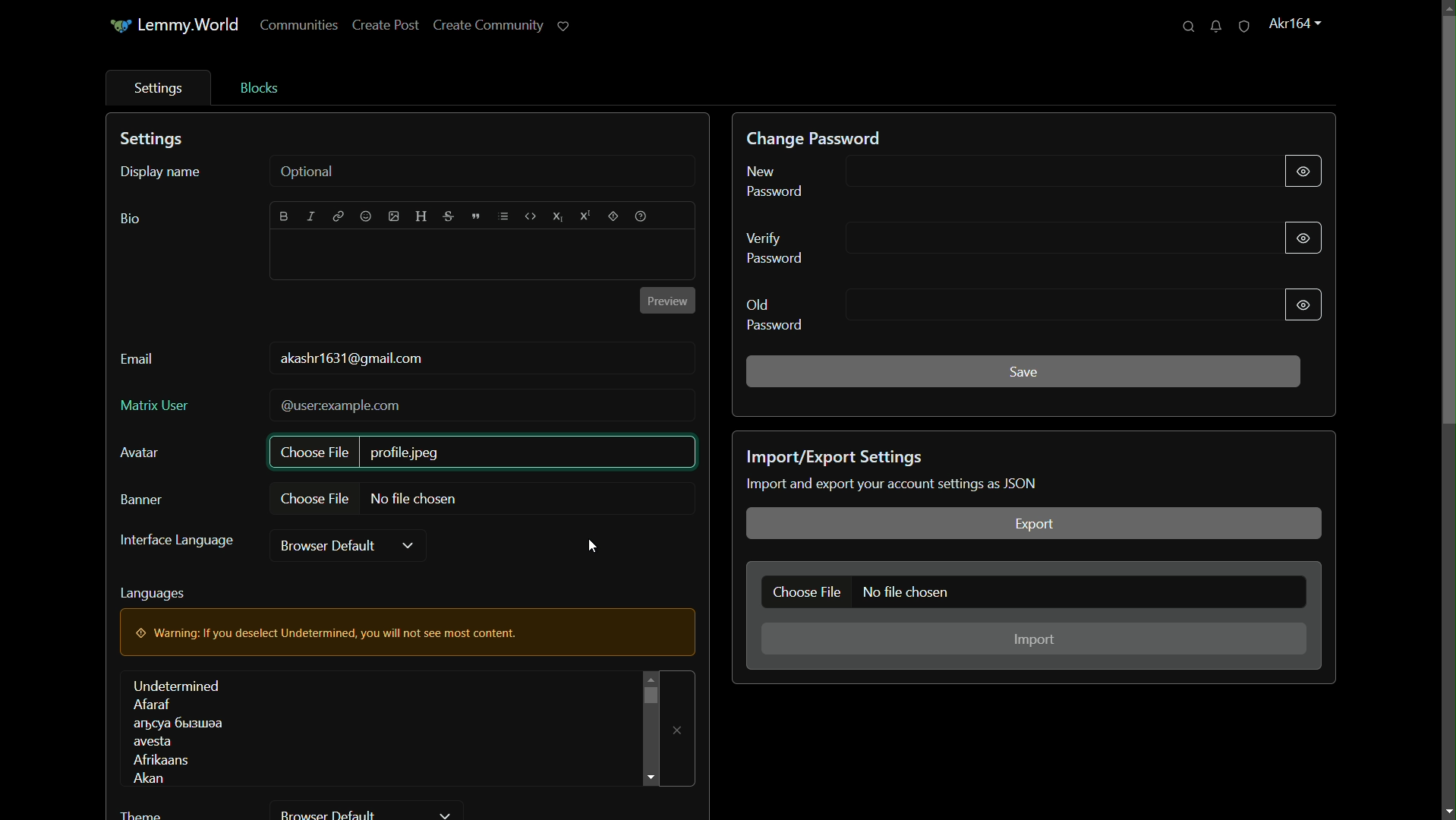  What do you see at coordinates (354, 359) in the screenshot?
I see `usermail` at bounding box center [354, 359].